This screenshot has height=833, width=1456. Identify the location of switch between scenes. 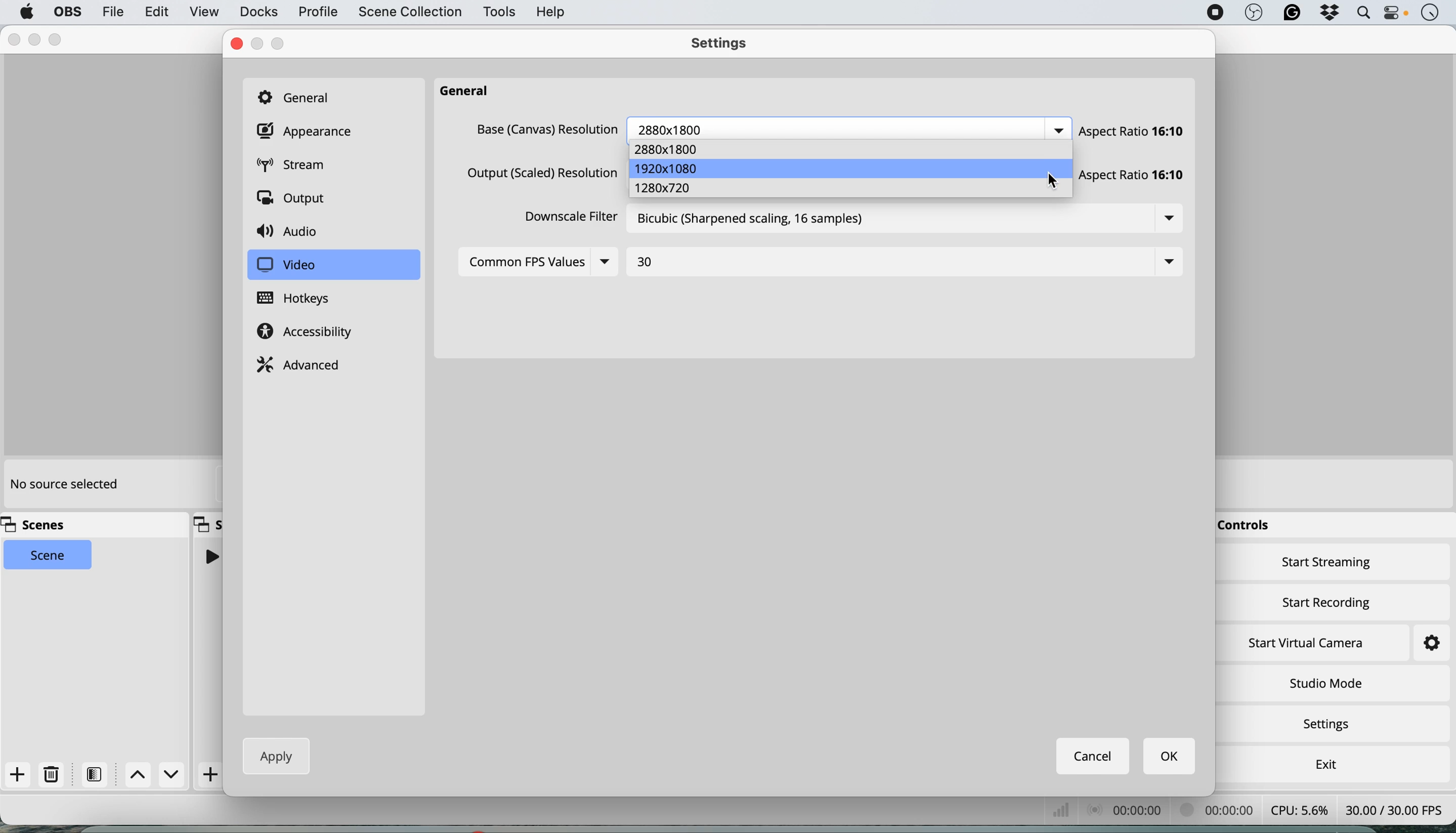
(156, 775).